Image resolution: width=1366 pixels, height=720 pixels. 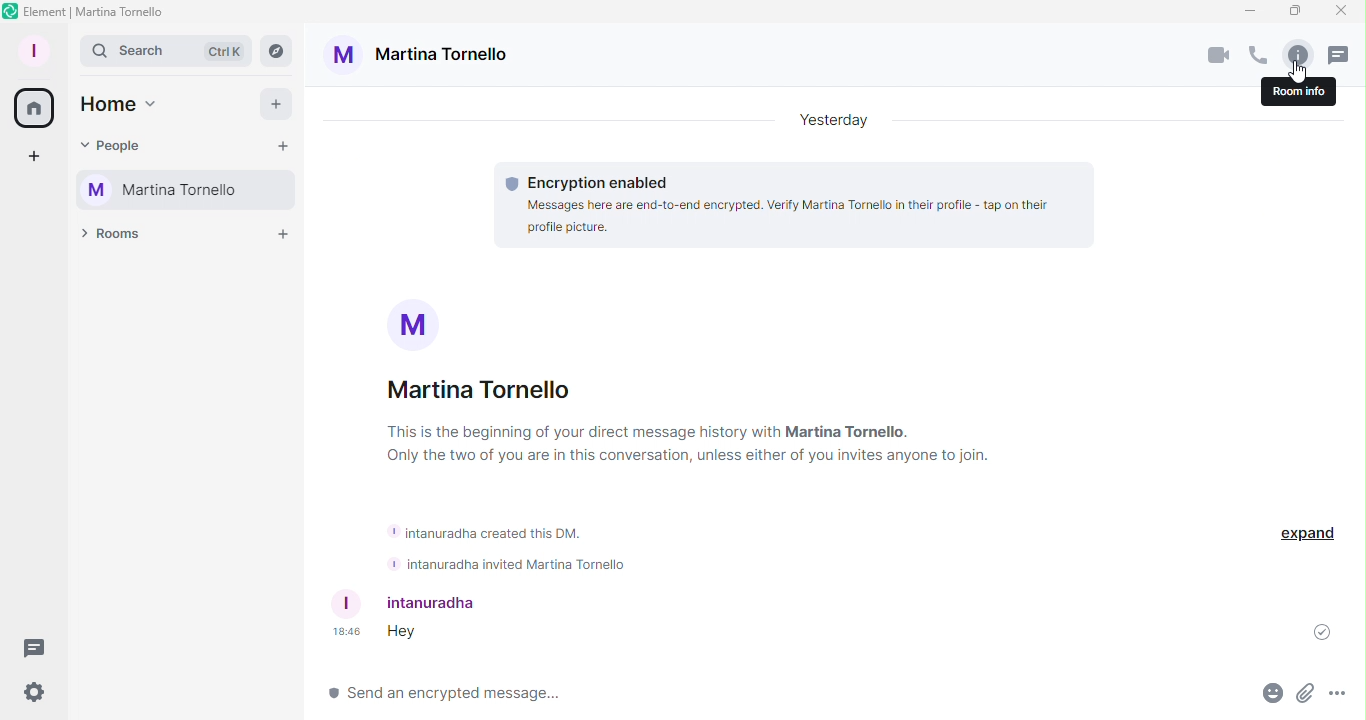 I want to click on messeges here are end-to-end encrypted. Verify Martina Tornello in their profile- tap in their profile picture, so click(x=800, y=217).